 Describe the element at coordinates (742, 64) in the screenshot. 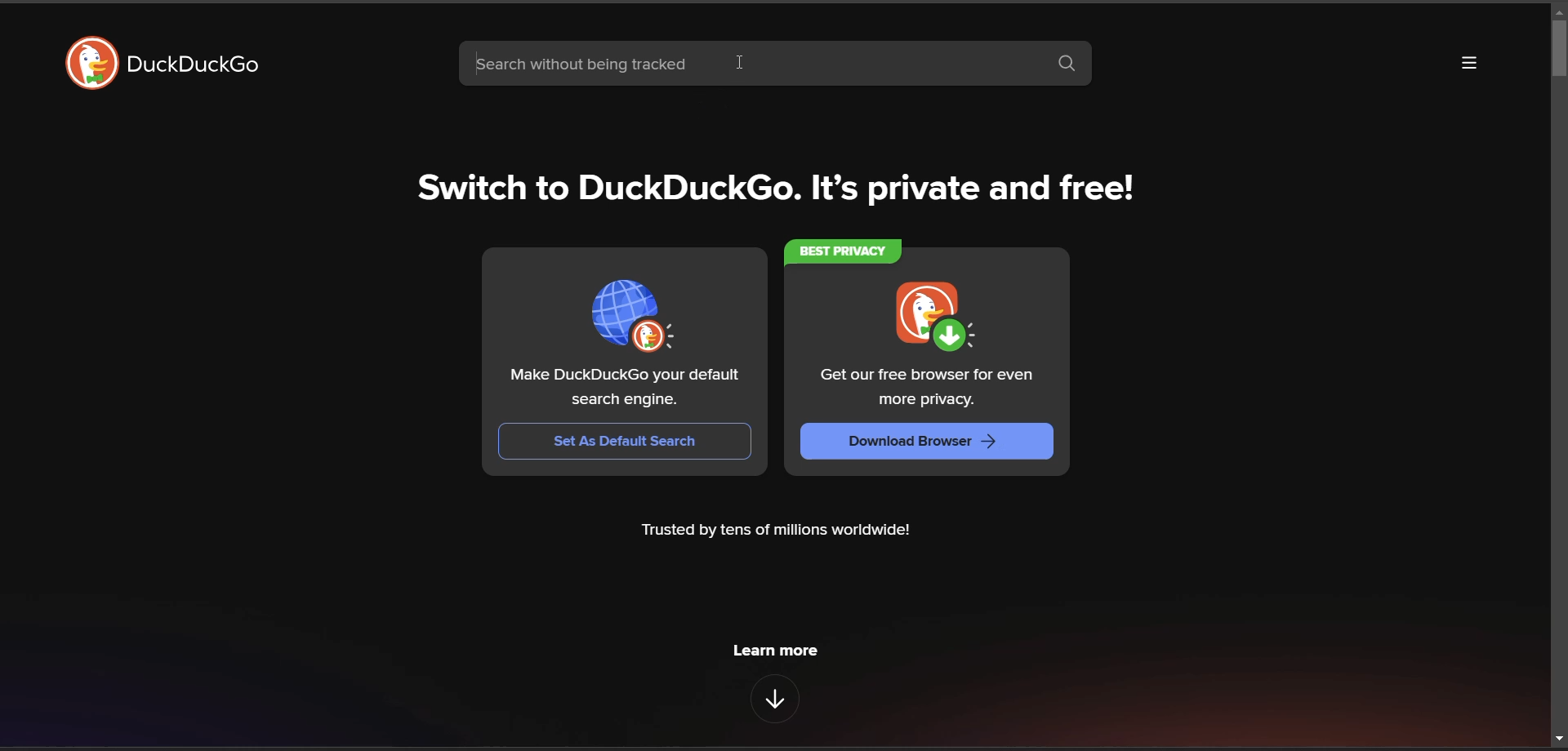

I see `cursor` at that location.